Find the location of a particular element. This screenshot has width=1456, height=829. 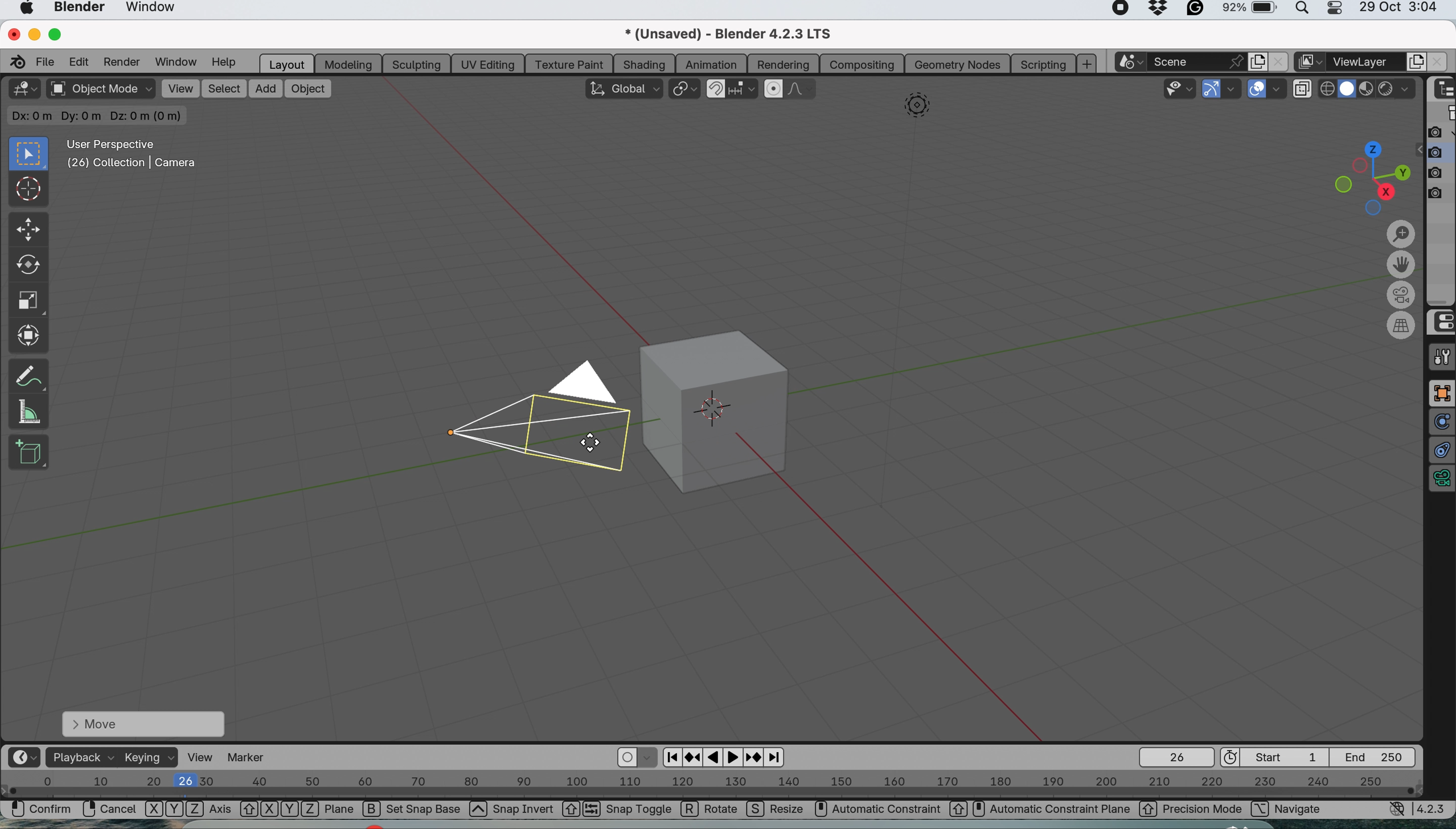

Navigate is located at coordinates (1300, 810).